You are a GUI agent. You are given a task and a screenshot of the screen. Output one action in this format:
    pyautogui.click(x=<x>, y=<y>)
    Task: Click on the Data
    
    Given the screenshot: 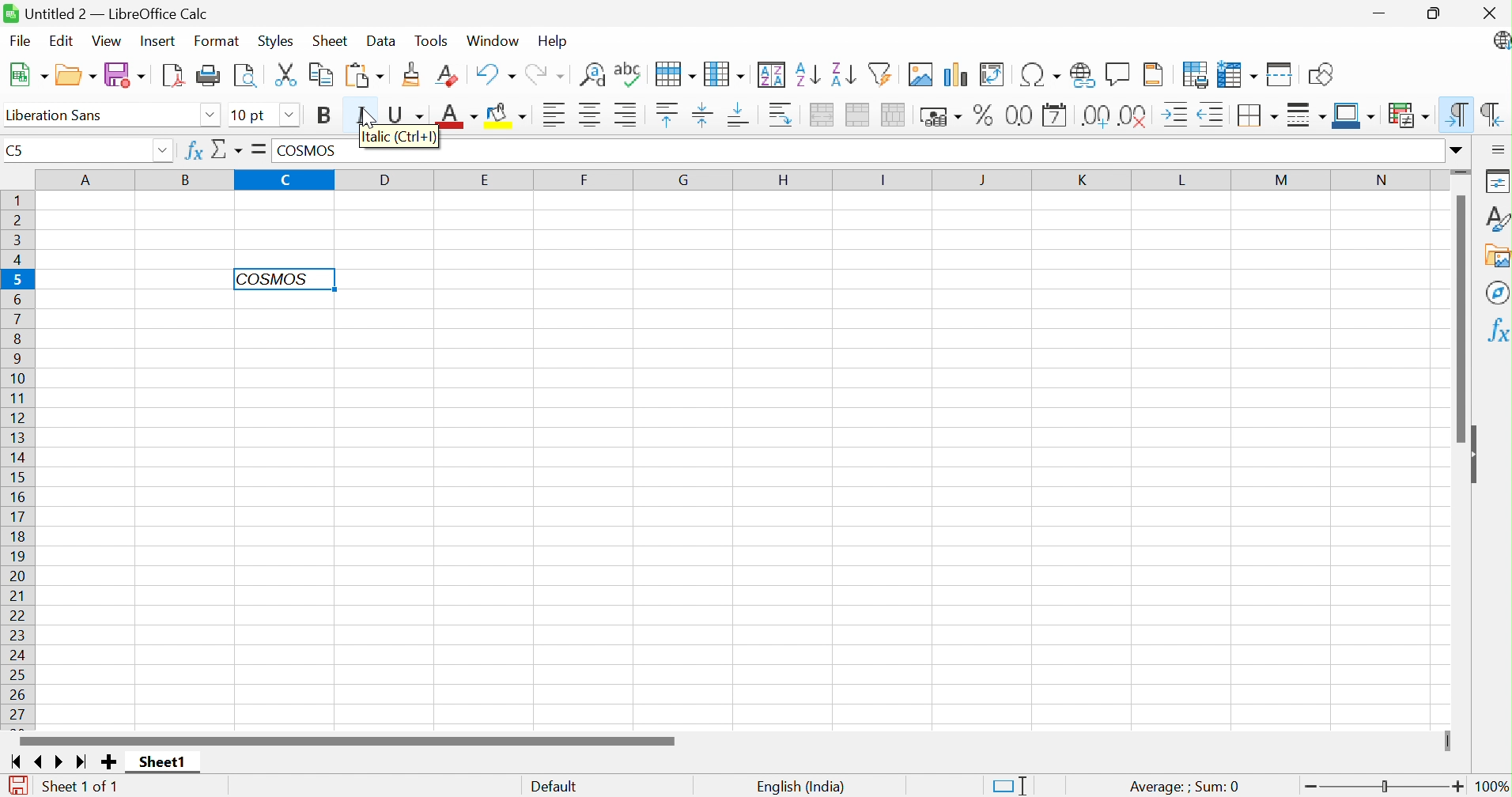 What is the action you would take?
    pyautogui.click(x=381, y=40)
    